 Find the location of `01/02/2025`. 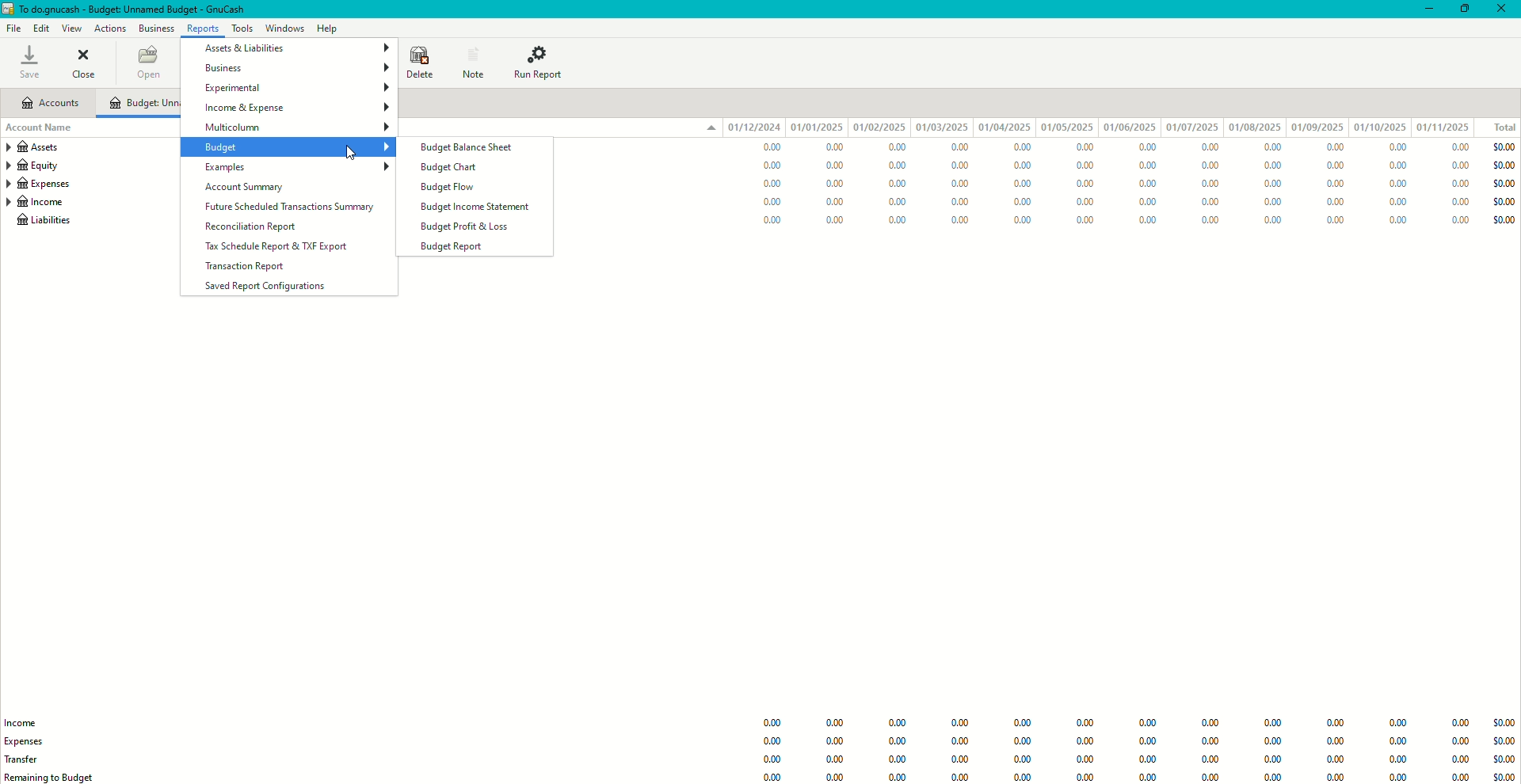

01/02/2025 is located at coordinates (879, 127).